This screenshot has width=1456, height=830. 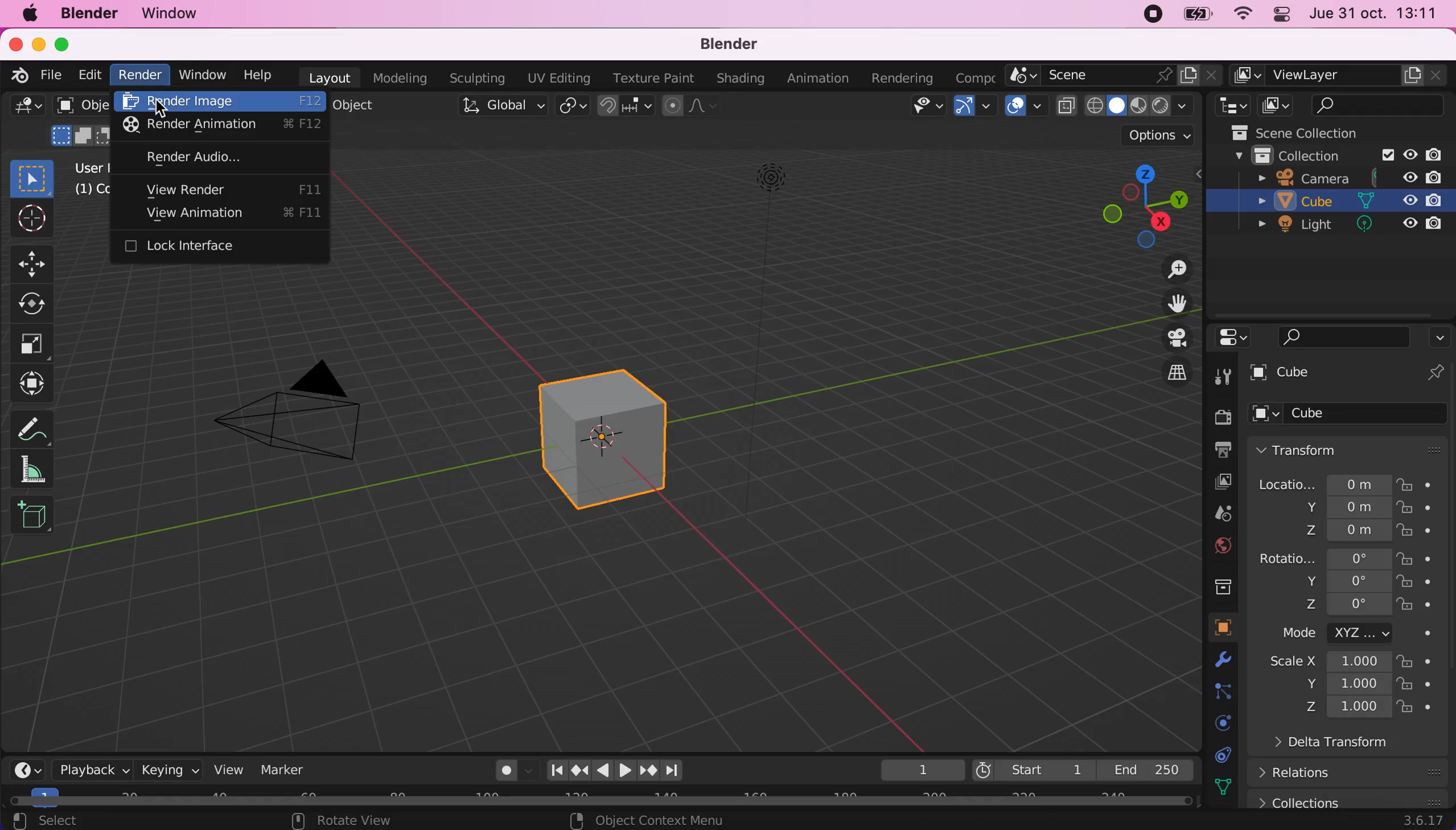 What do you see at coordinates (1335, 583) in the screenshot?
I see `rotation y` at bounding box center [1335, 583].